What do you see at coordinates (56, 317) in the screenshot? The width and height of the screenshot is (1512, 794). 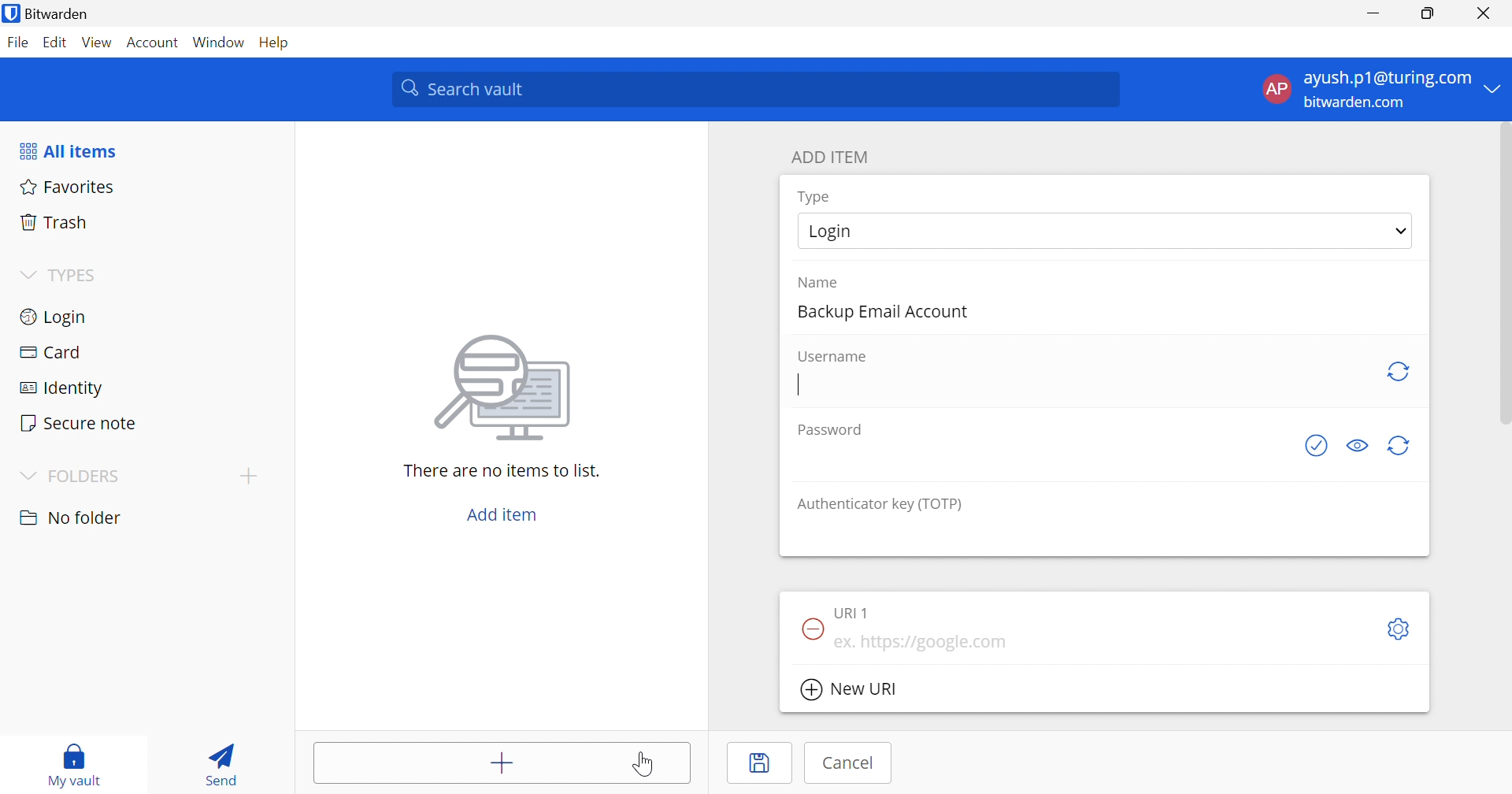 I see `Login` at bounding box center [56, 317].